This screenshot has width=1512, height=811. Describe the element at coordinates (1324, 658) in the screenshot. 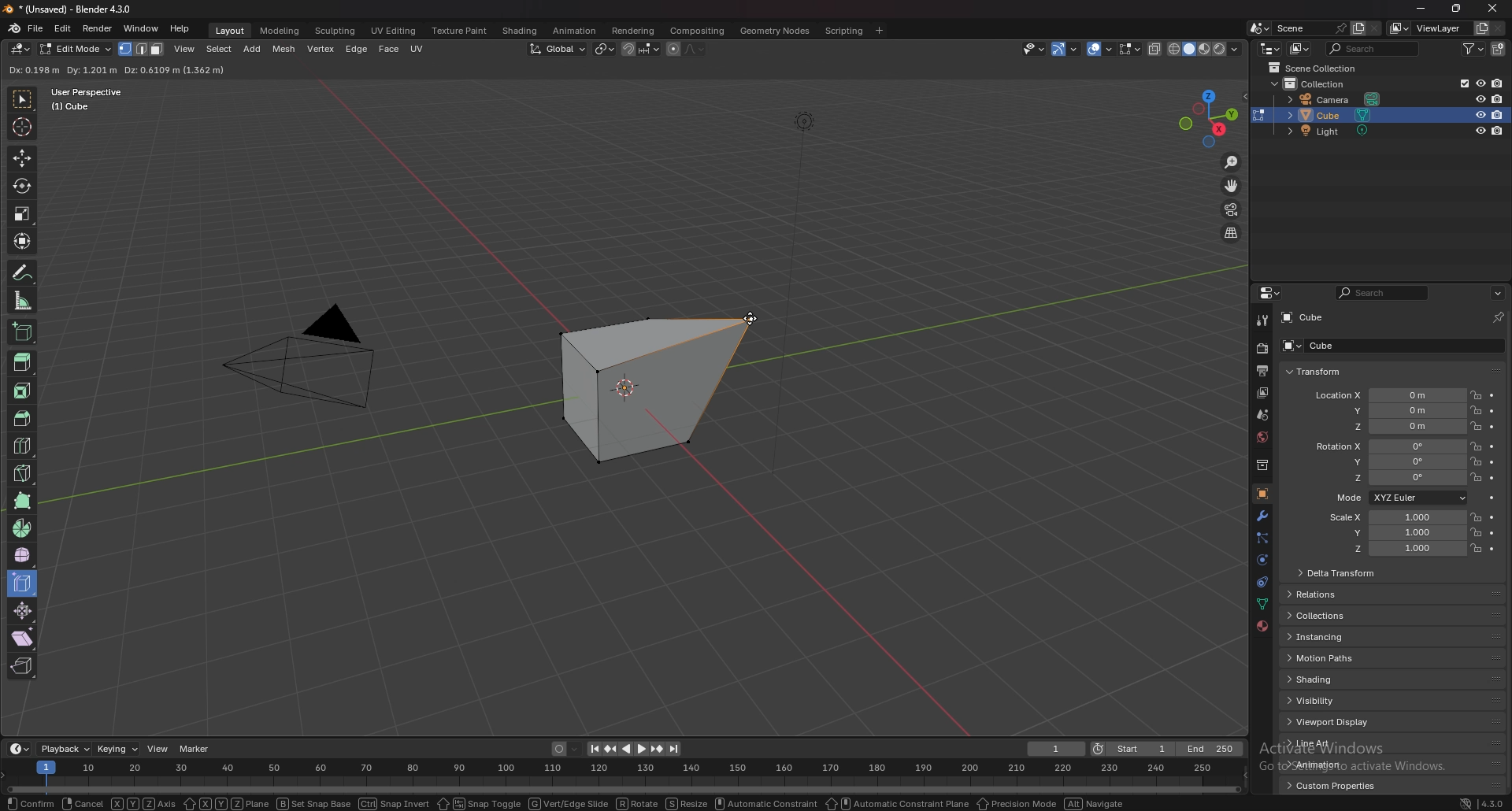

I see `motion paths` at that location.